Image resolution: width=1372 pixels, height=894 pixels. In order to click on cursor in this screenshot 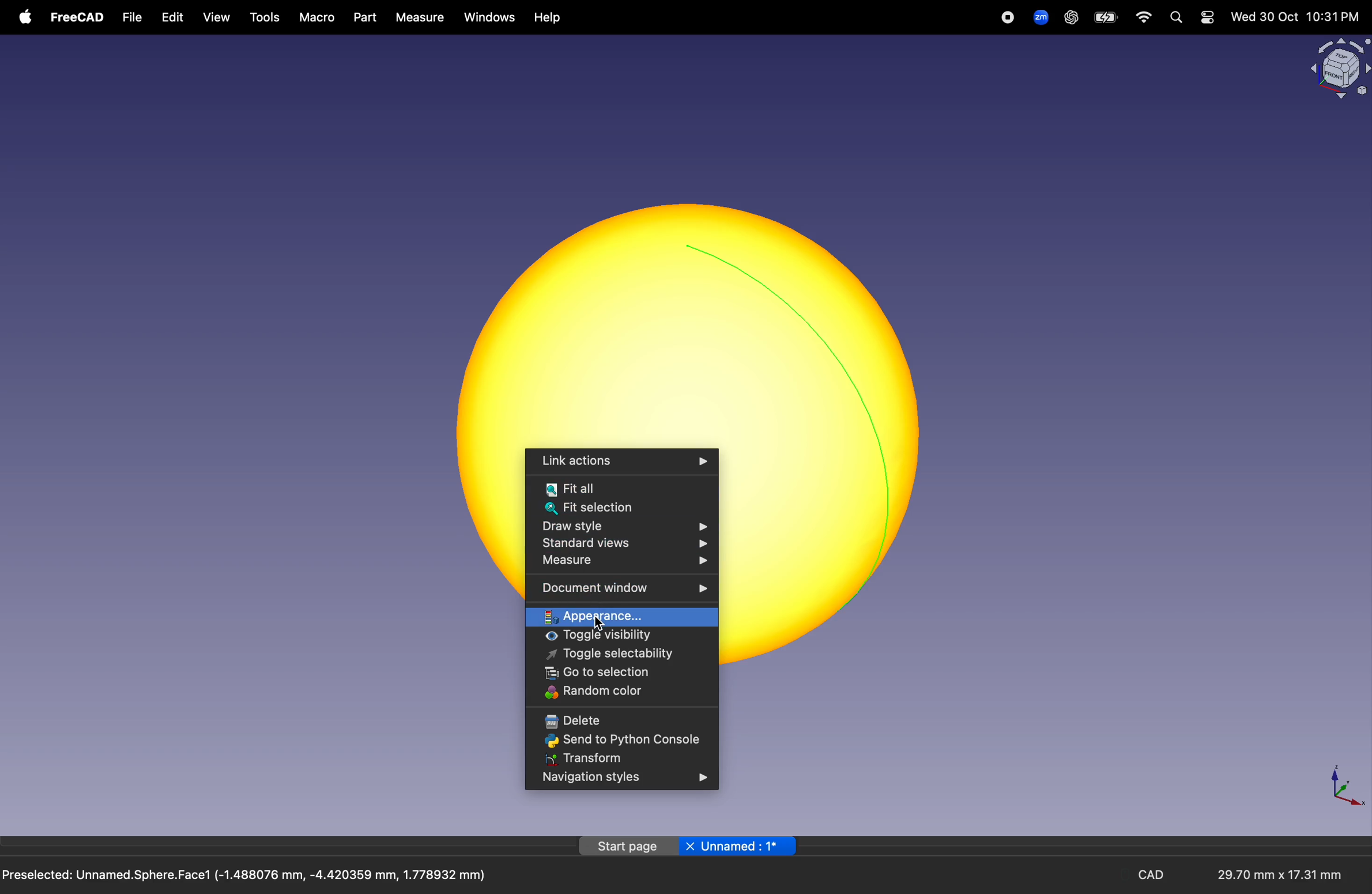, I will do `click(600, 624)`.